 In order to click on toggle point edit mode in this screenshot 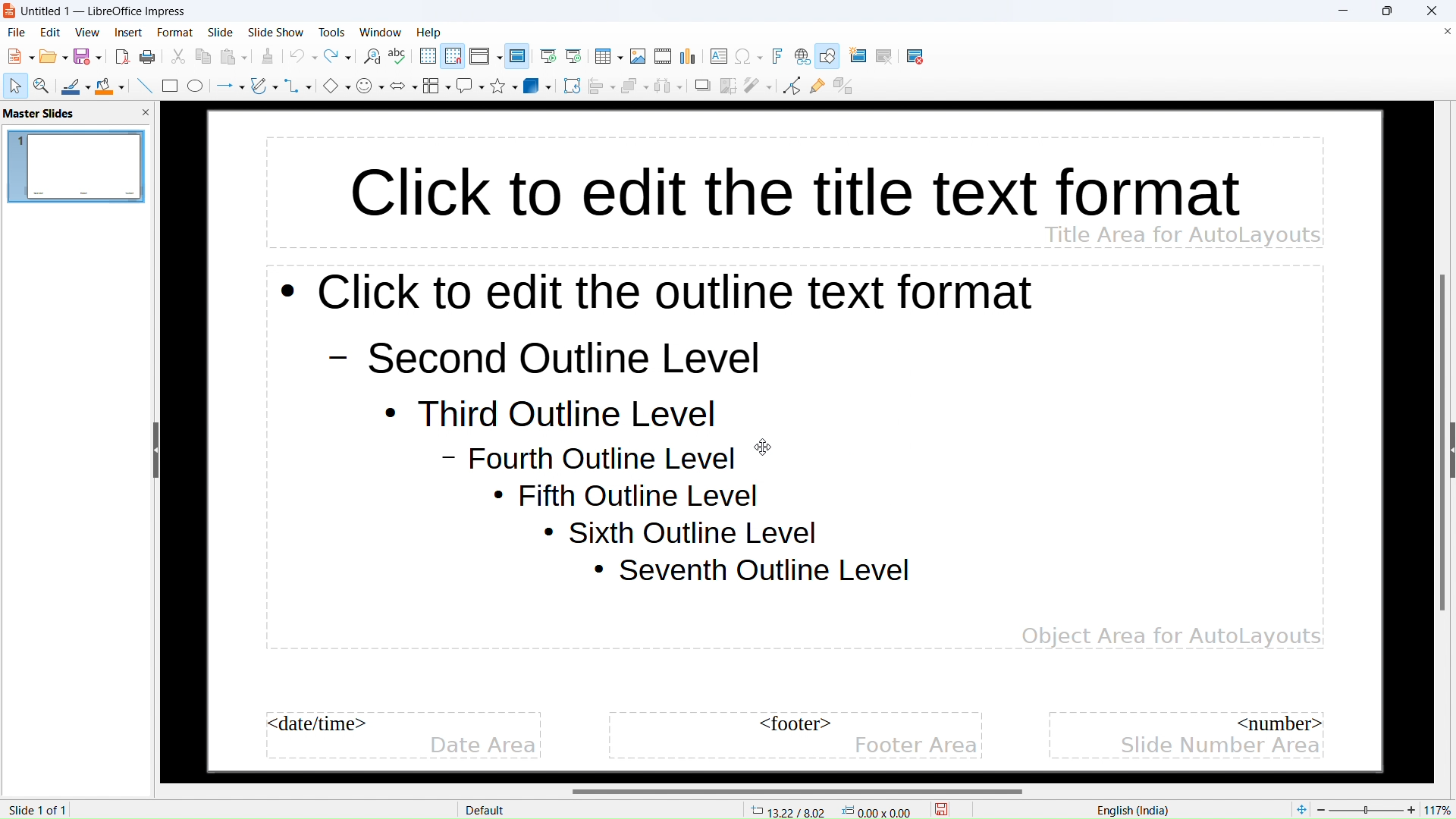, I will do `click(792, 86)`.